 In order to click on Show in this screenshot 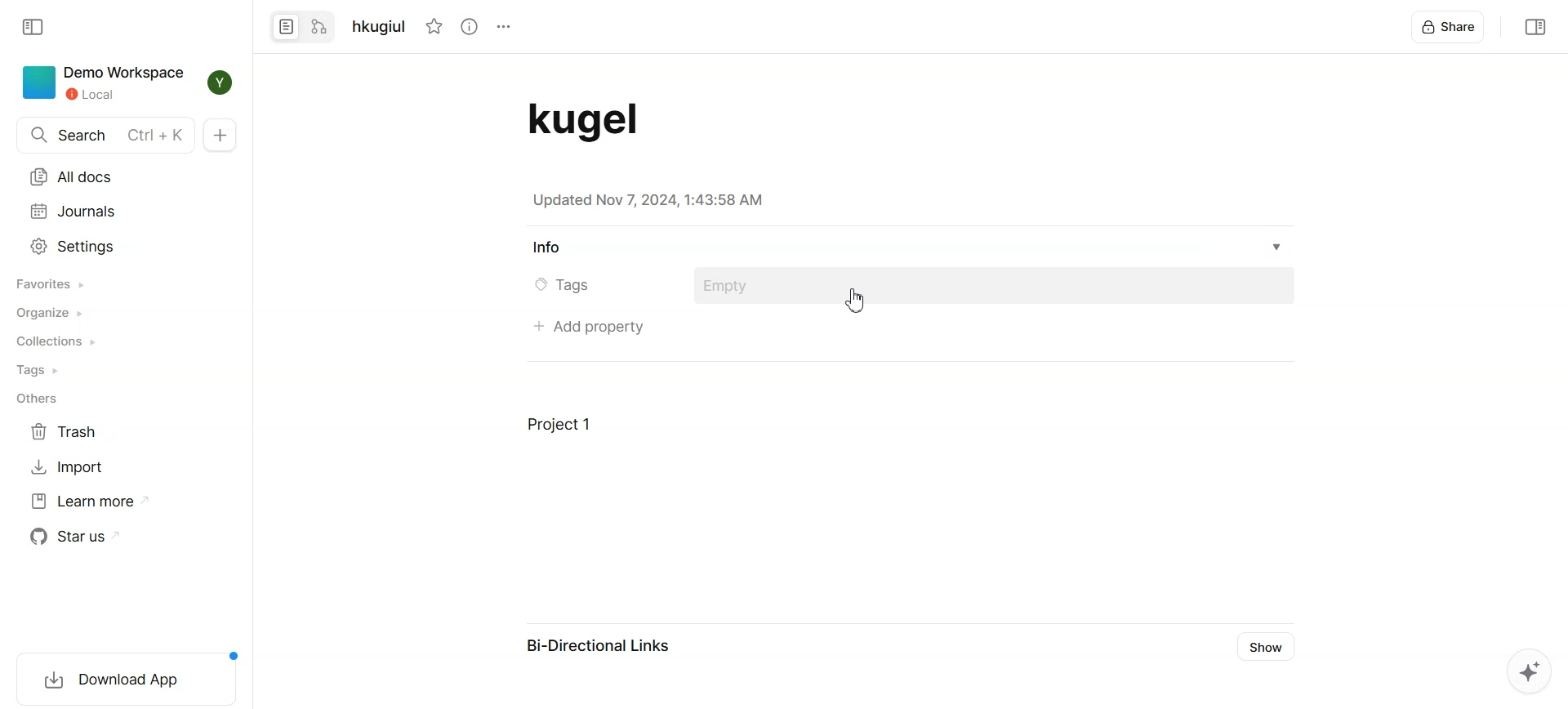, I will do `click(1269, 646)`.